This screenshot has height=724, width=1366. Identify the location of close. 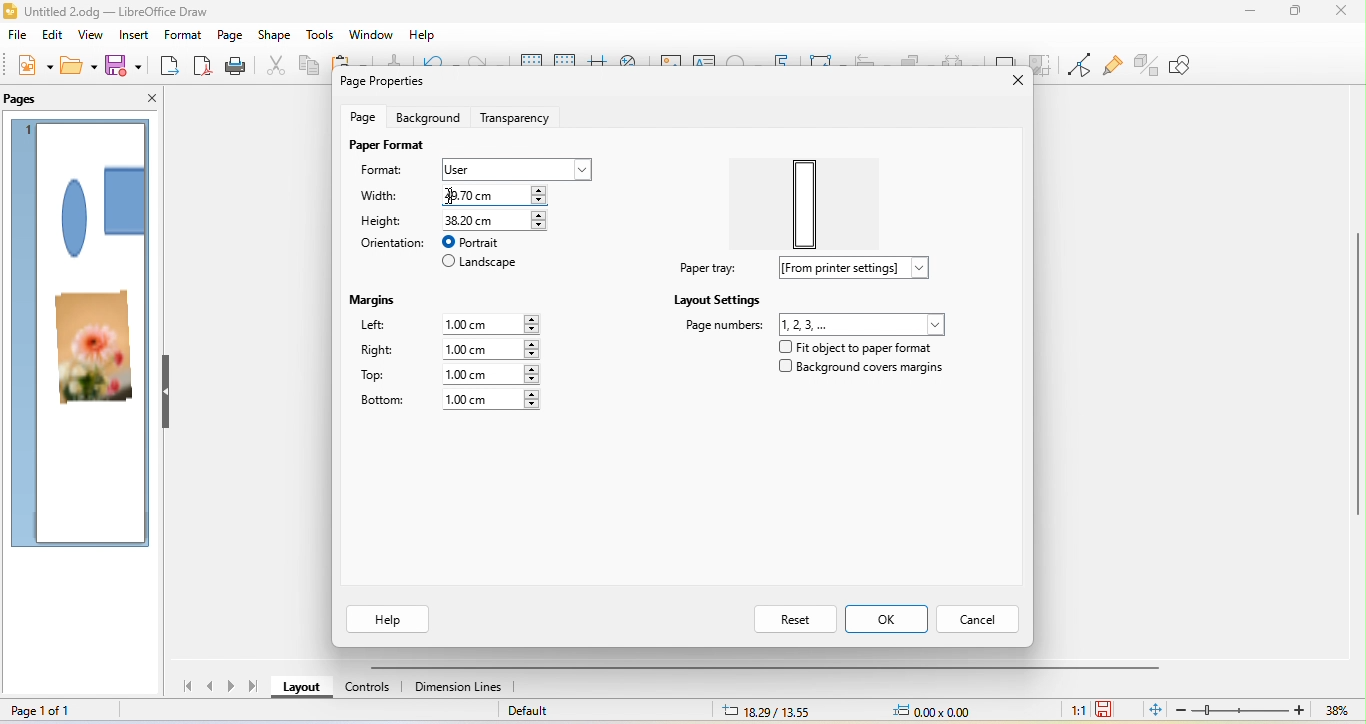
(147, 99).